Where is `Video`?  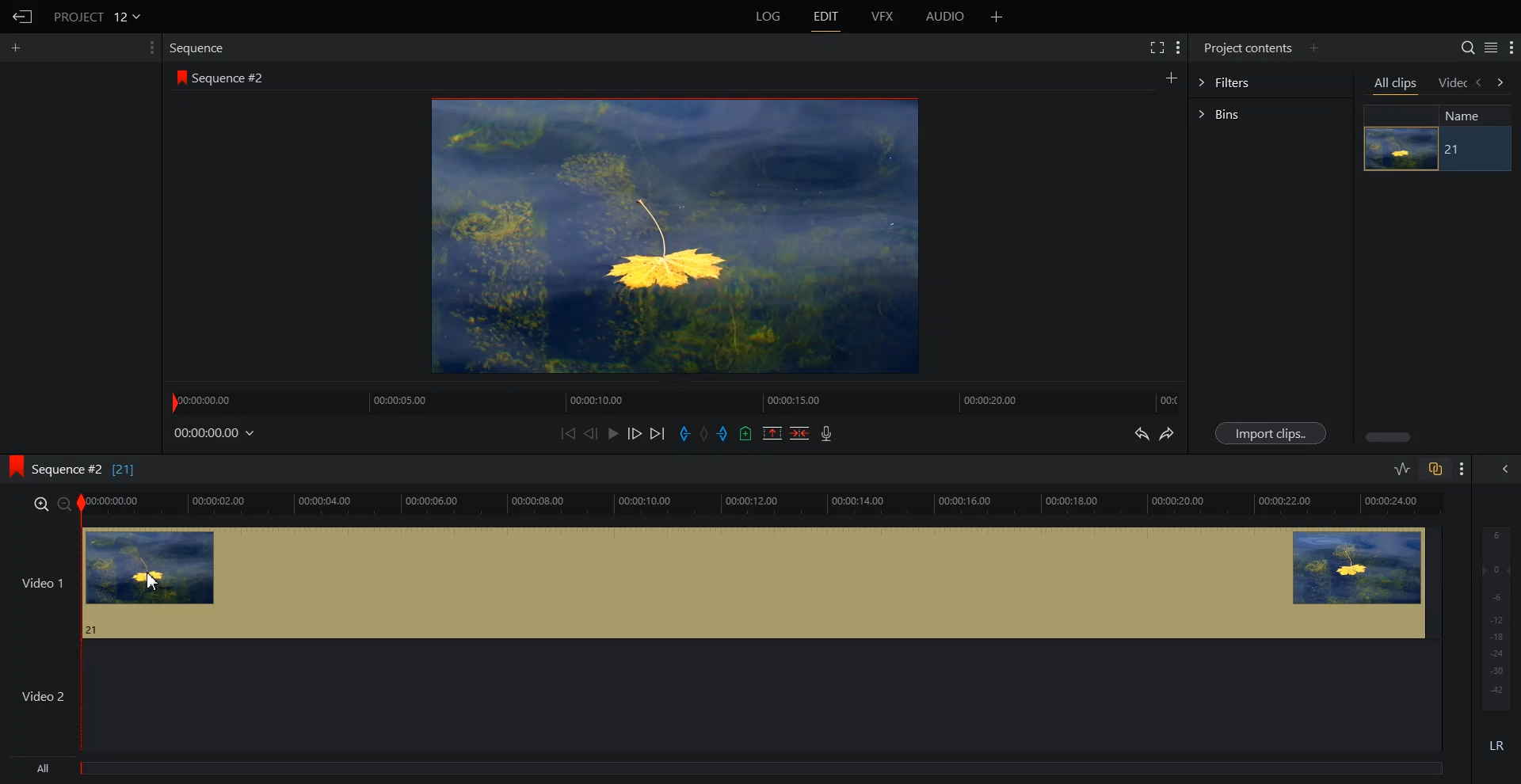 Video is located at coordinates (1453, 84).